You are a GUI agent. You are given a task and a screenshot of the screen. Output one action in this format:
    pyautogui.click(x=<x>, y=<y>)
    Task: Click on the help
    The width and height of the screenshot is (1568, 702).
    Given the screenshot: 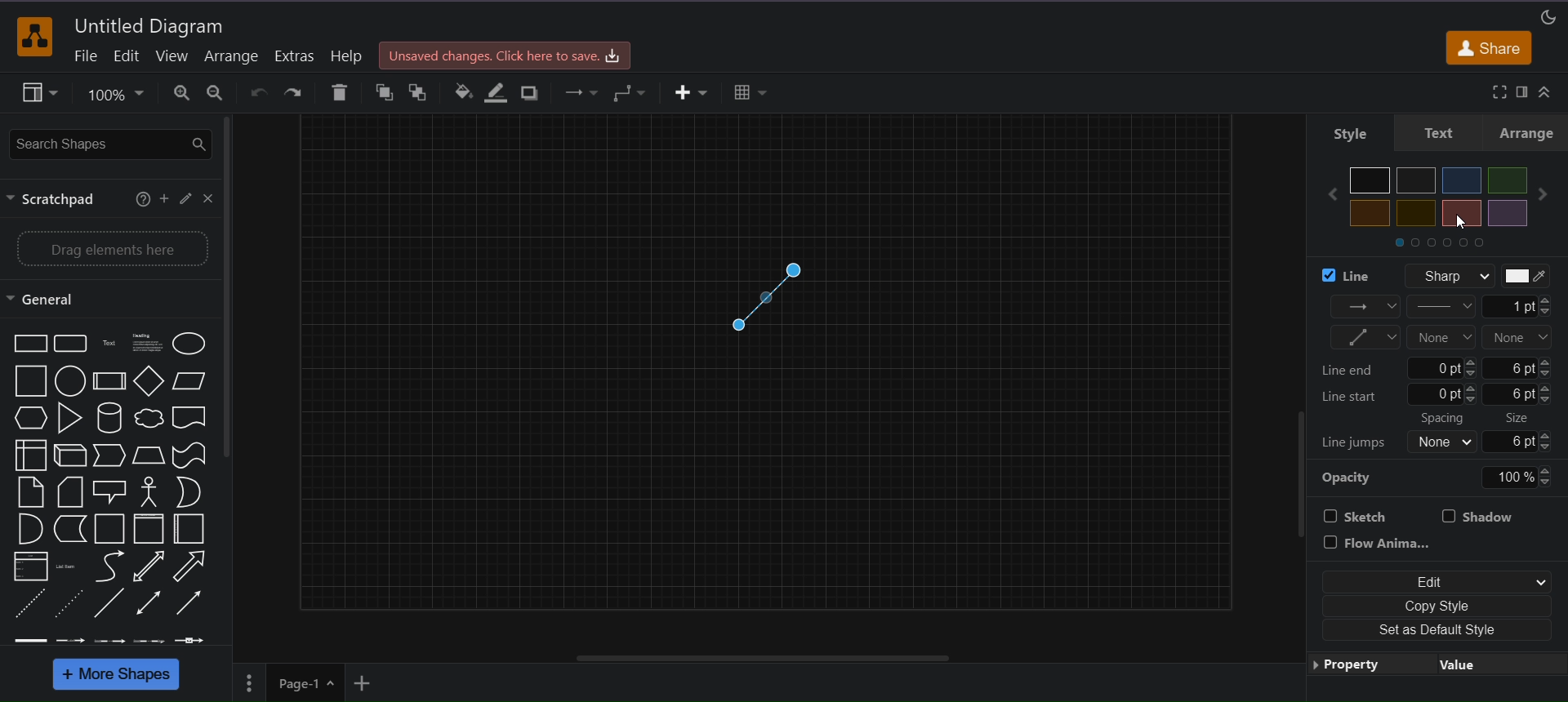 What is the action you would take?
    pyautogui.click(x=138, y=200)
    